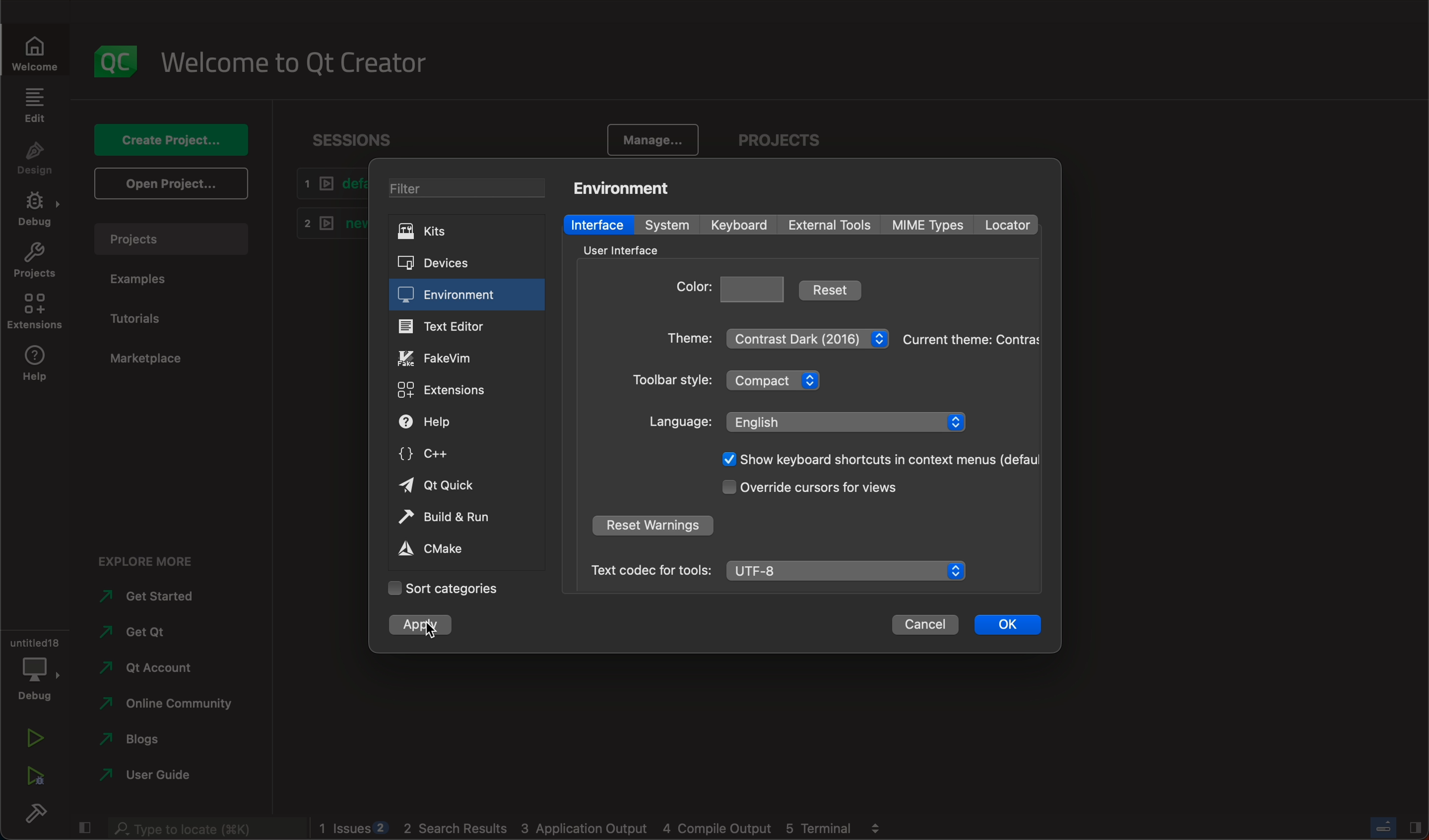 Image resolution: width=1429 pixels, height=840 pixels. Describe the element at coordinates (465, 233) in the screenshot. I see `kits` at that location.